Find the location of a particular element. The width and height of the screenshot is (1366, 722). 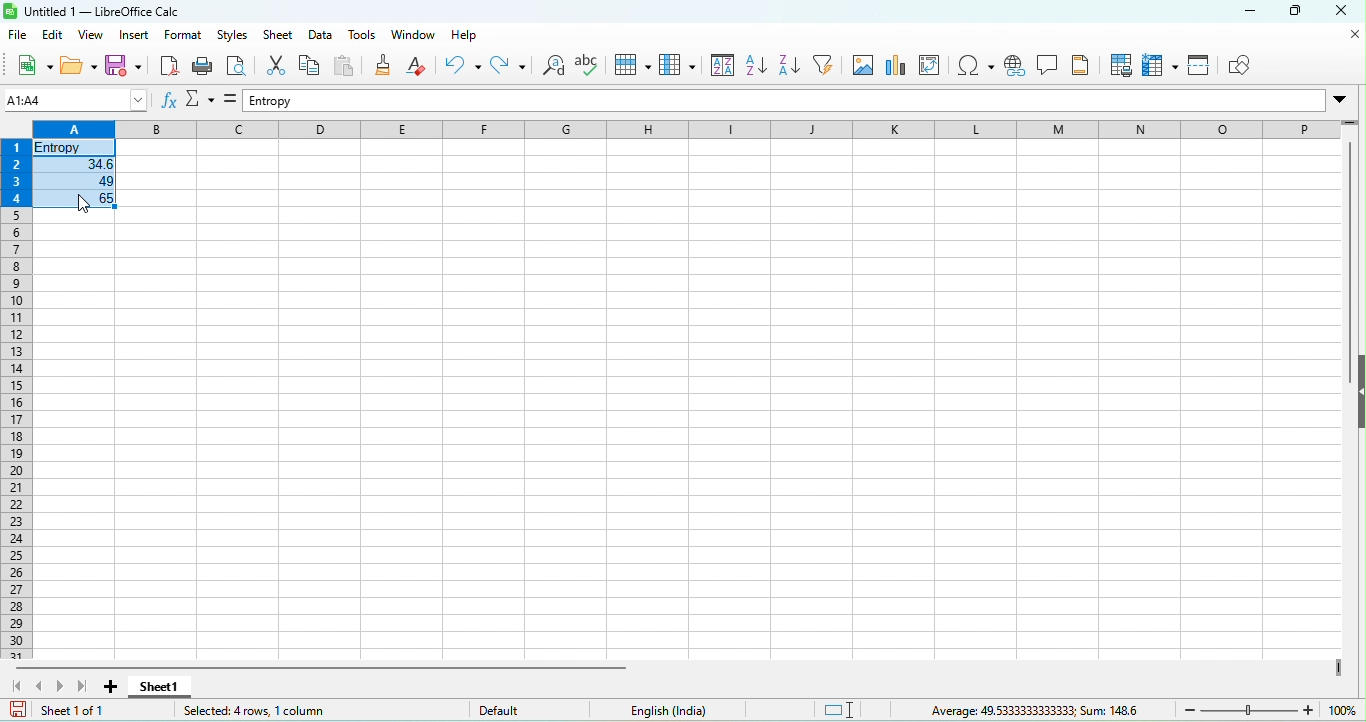

clear direct formatting is located at coordinates (419, 69).